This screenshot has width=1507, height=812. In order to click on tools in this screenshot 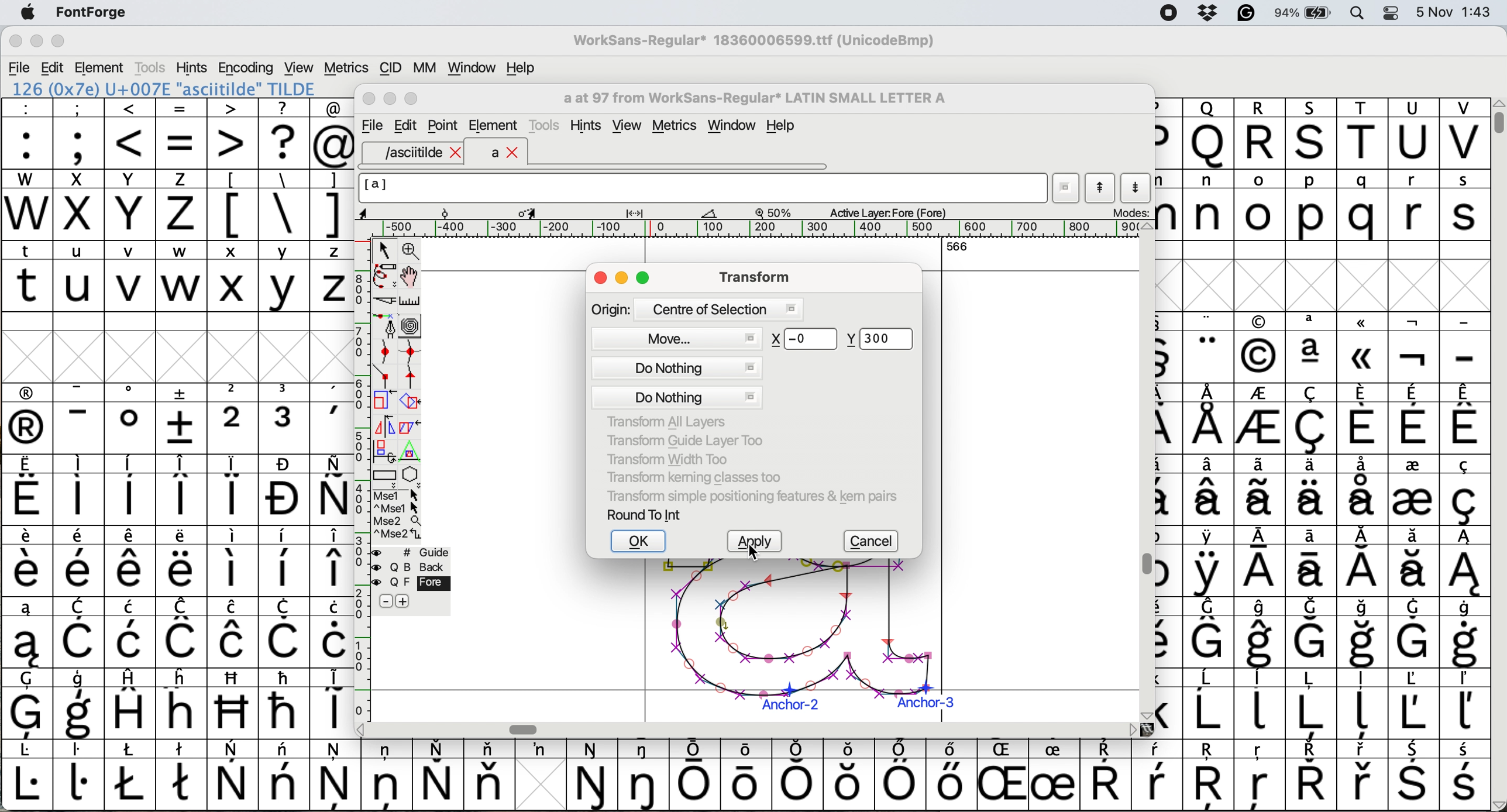, I will do `click(546, 123)`.